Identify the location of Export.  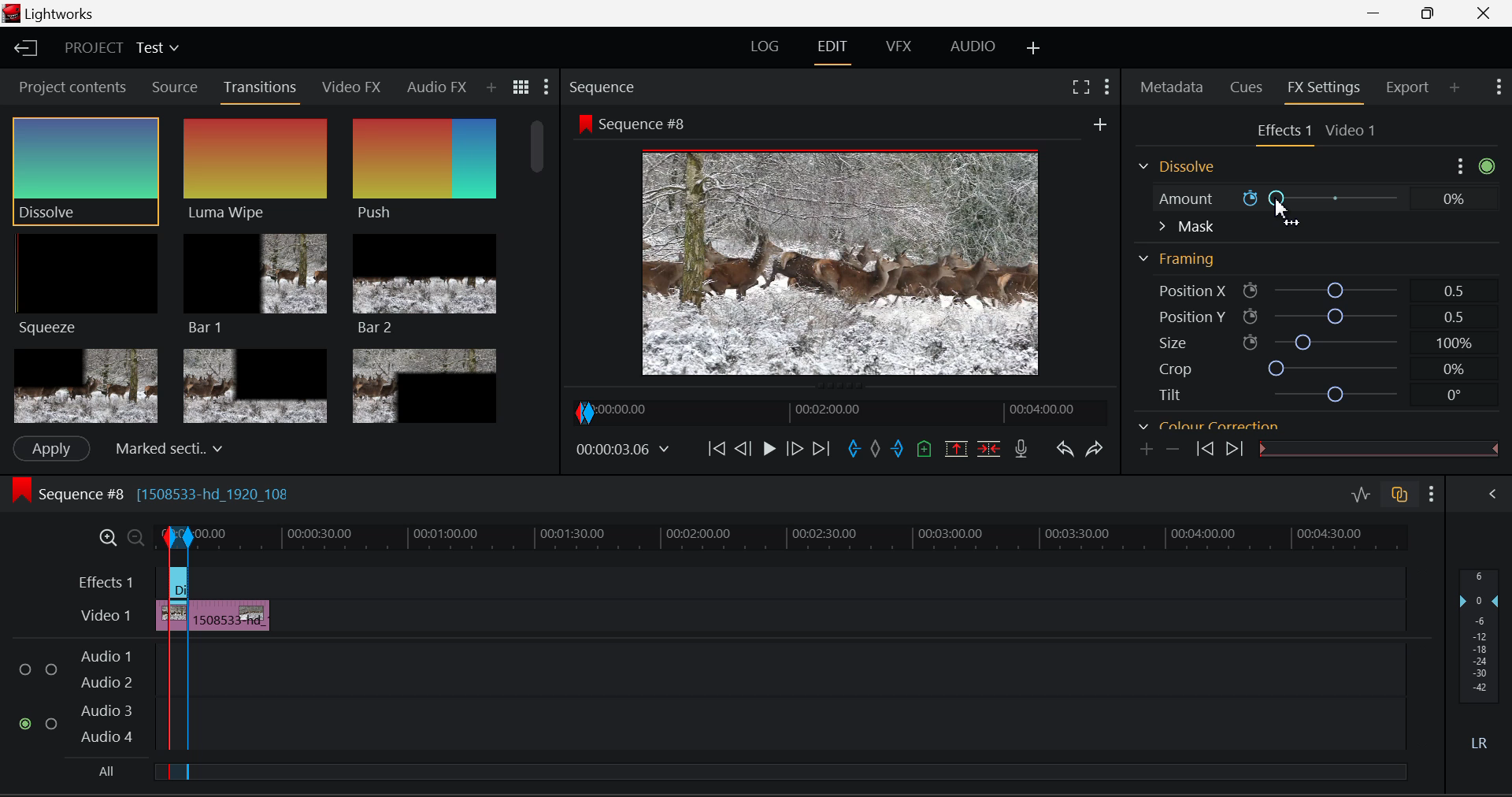
(1411, 87).